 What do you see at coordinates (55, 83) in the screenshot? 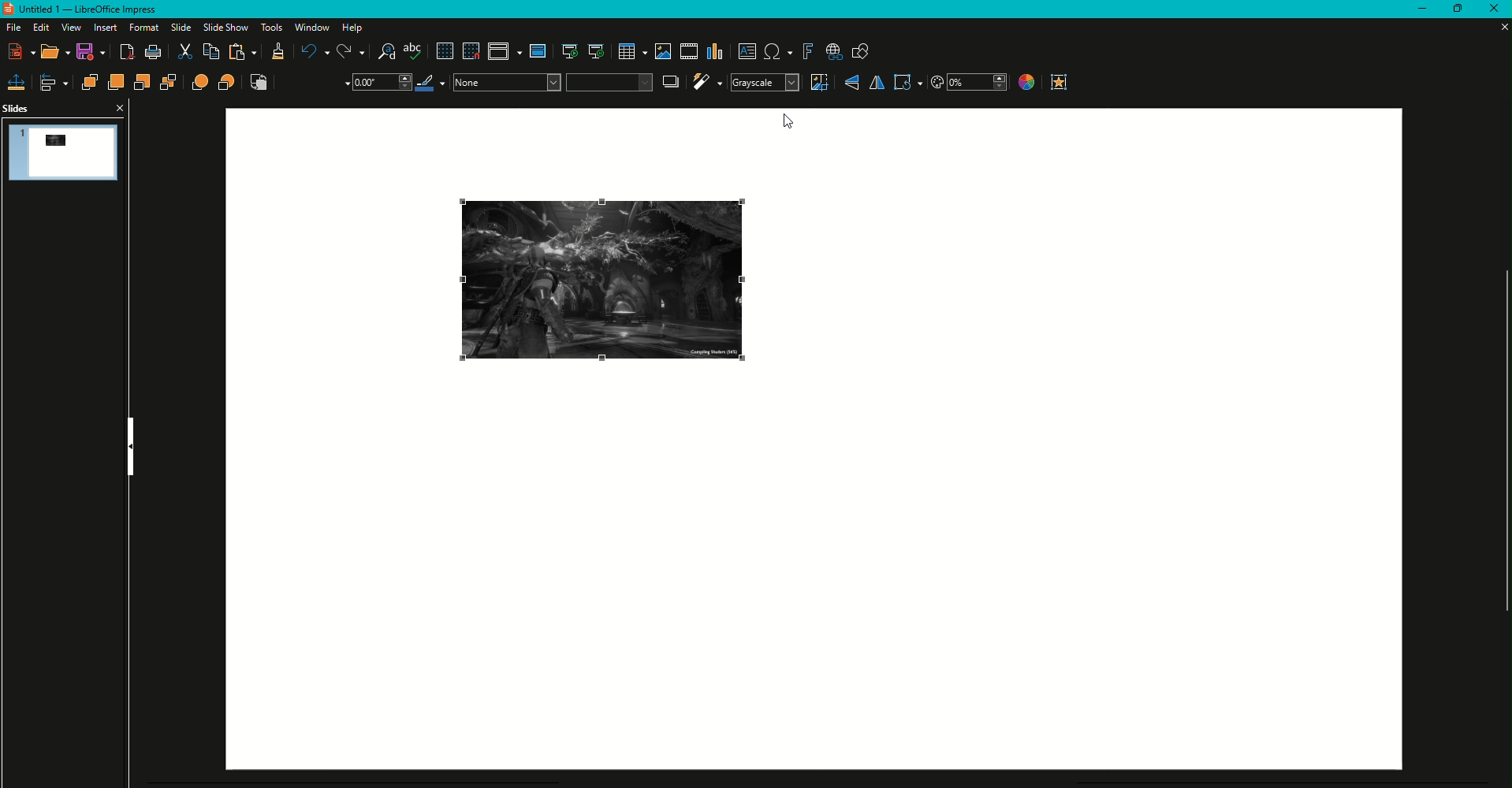
I see `Align Objects` at bounding box center [55, 83].